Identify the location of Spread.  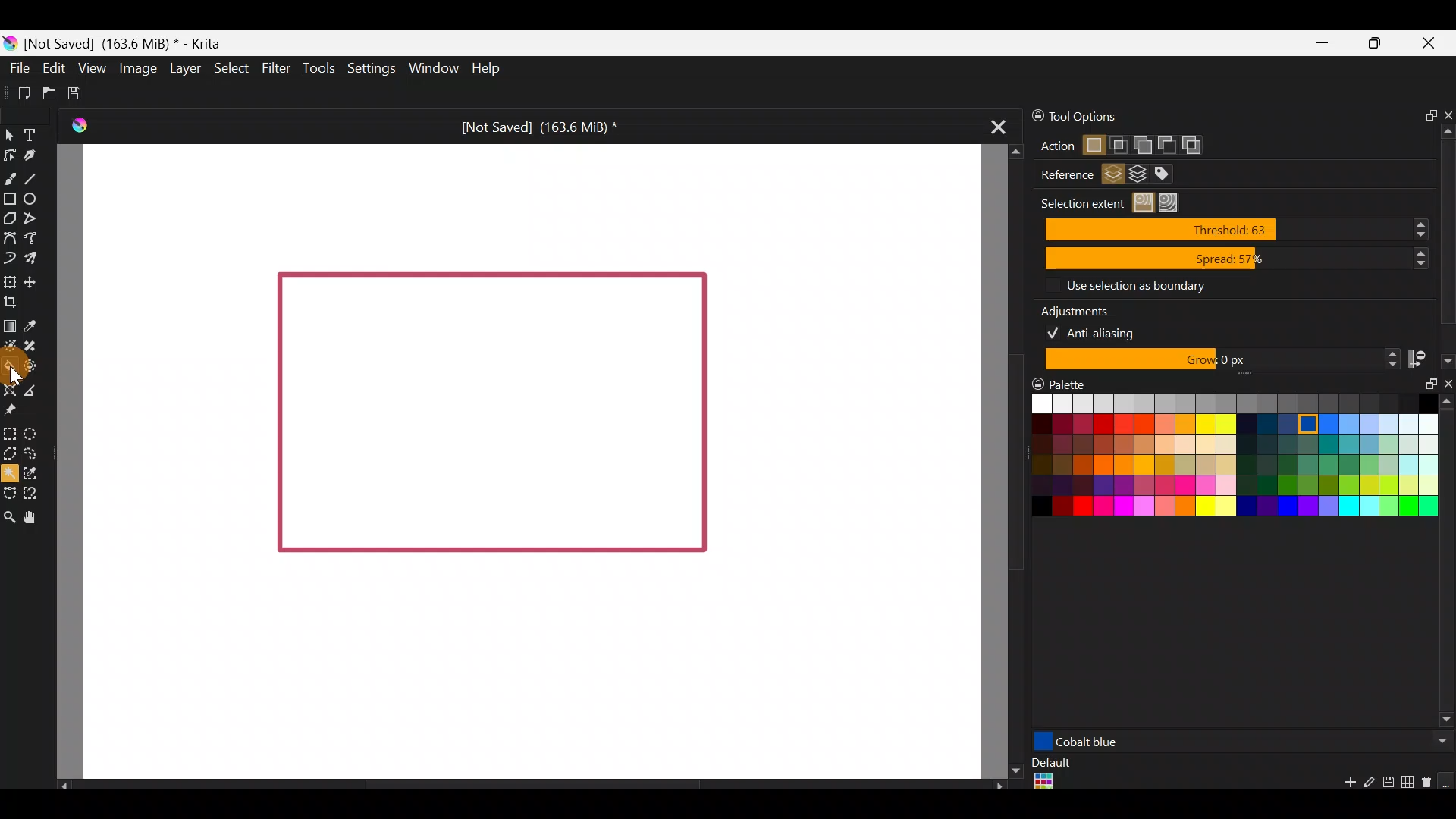
(1237, 259).